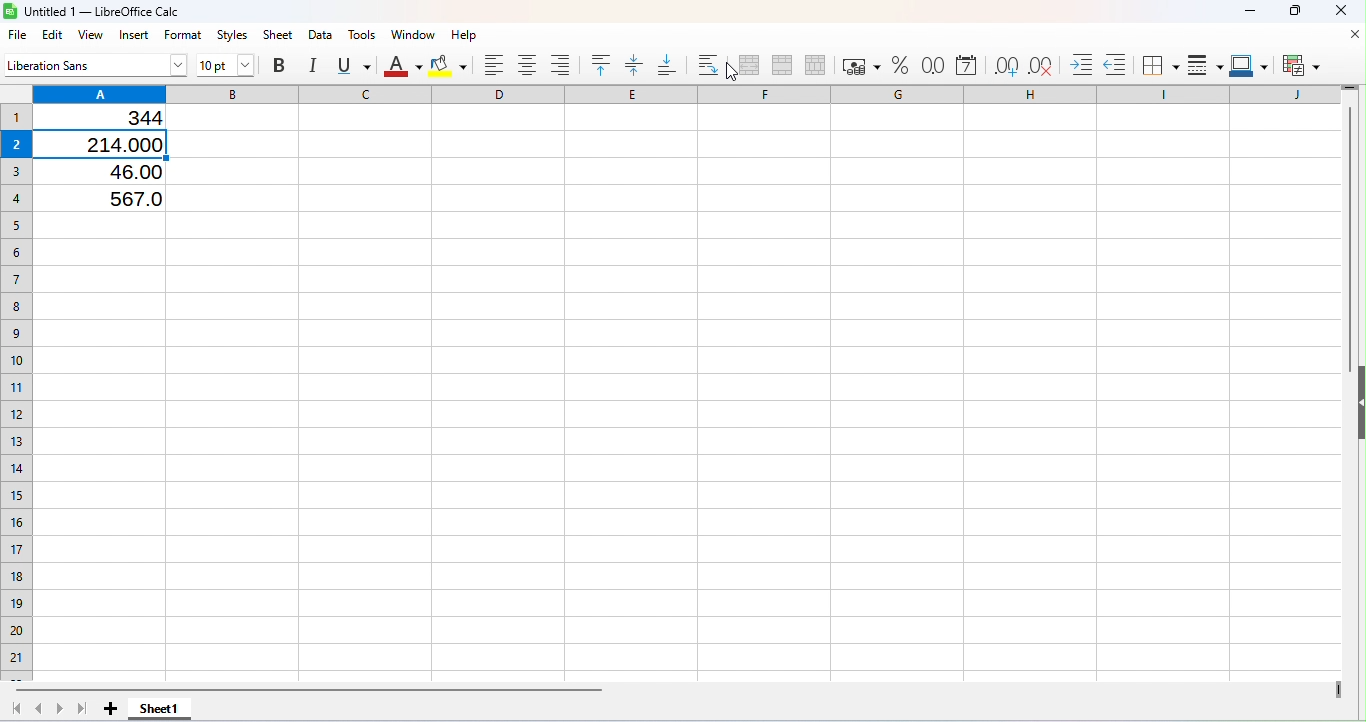 Image resolution: width=1366 pixels, height=722 pixels. Describe the element at coordinates (234, 35) in the screenshot. I see `Styles` at that location.